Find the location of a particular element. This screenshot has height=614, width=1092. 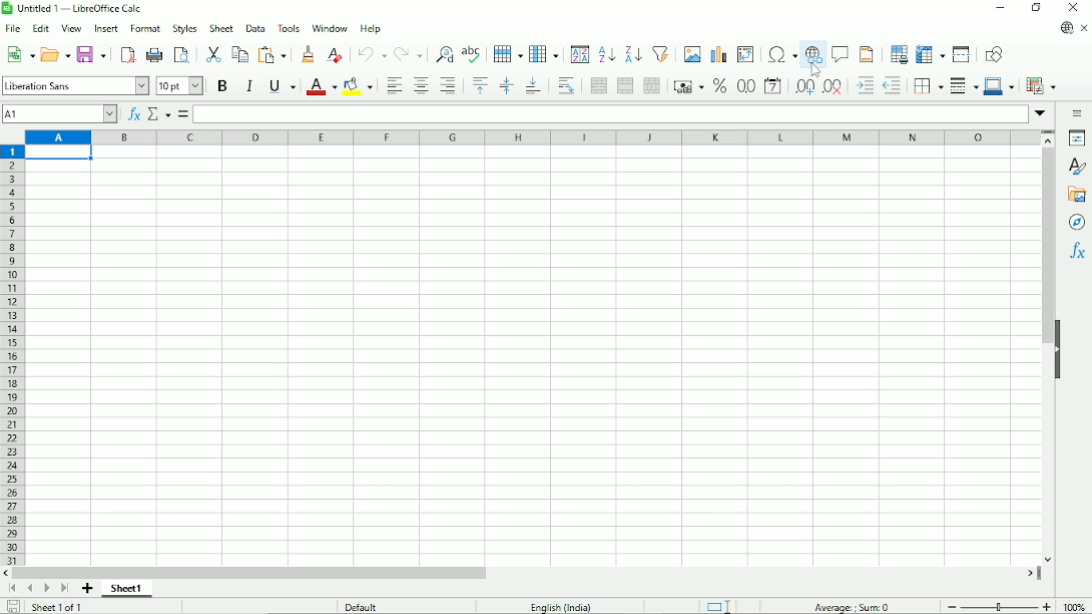

tolls is located at coordinates (288, 27).